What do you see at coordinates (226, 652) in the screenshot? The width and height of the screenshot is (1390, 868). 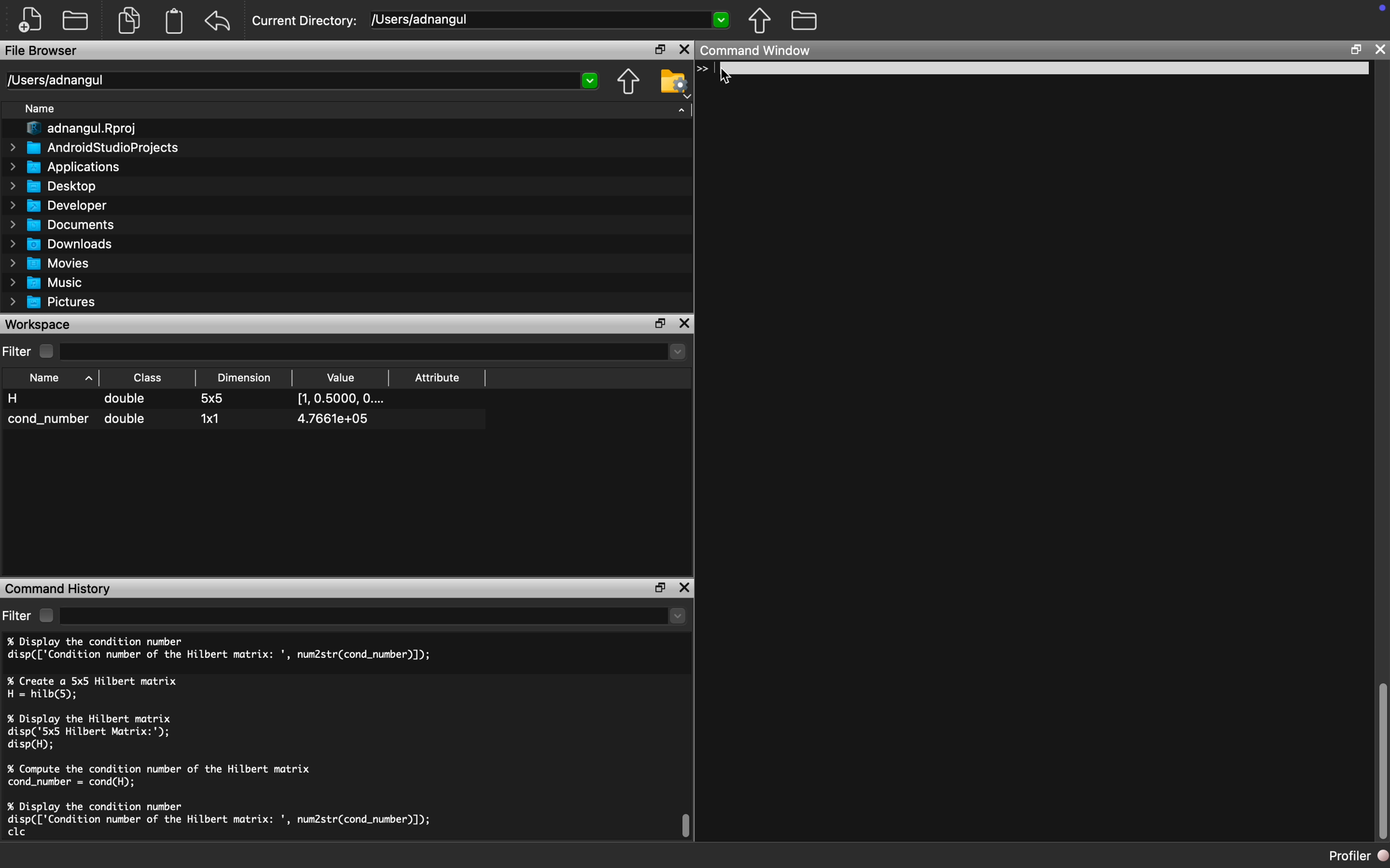 I see `% Display the condition number
disp(['Condition number of the Hilbert matrix: ', num2str(cond_number)]);` at bounding box center [226, 652].